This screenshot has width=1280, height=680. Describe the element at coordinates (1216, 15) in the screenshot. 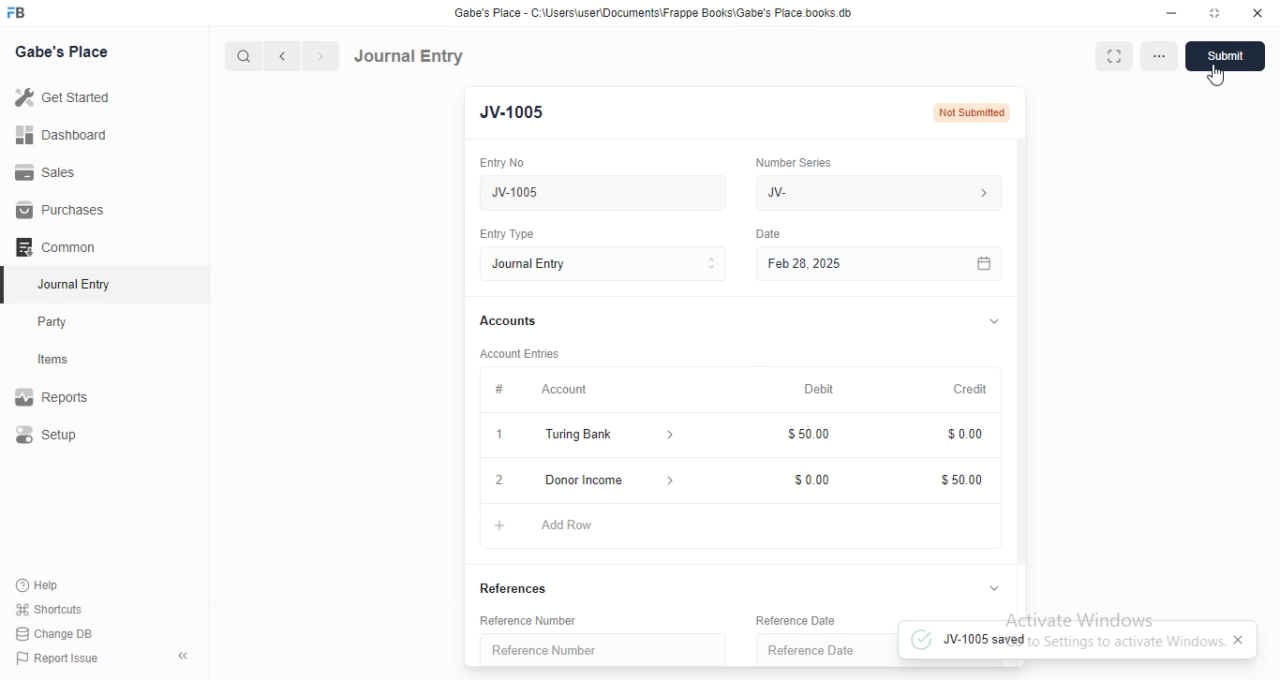

I see `restore down` at that location.